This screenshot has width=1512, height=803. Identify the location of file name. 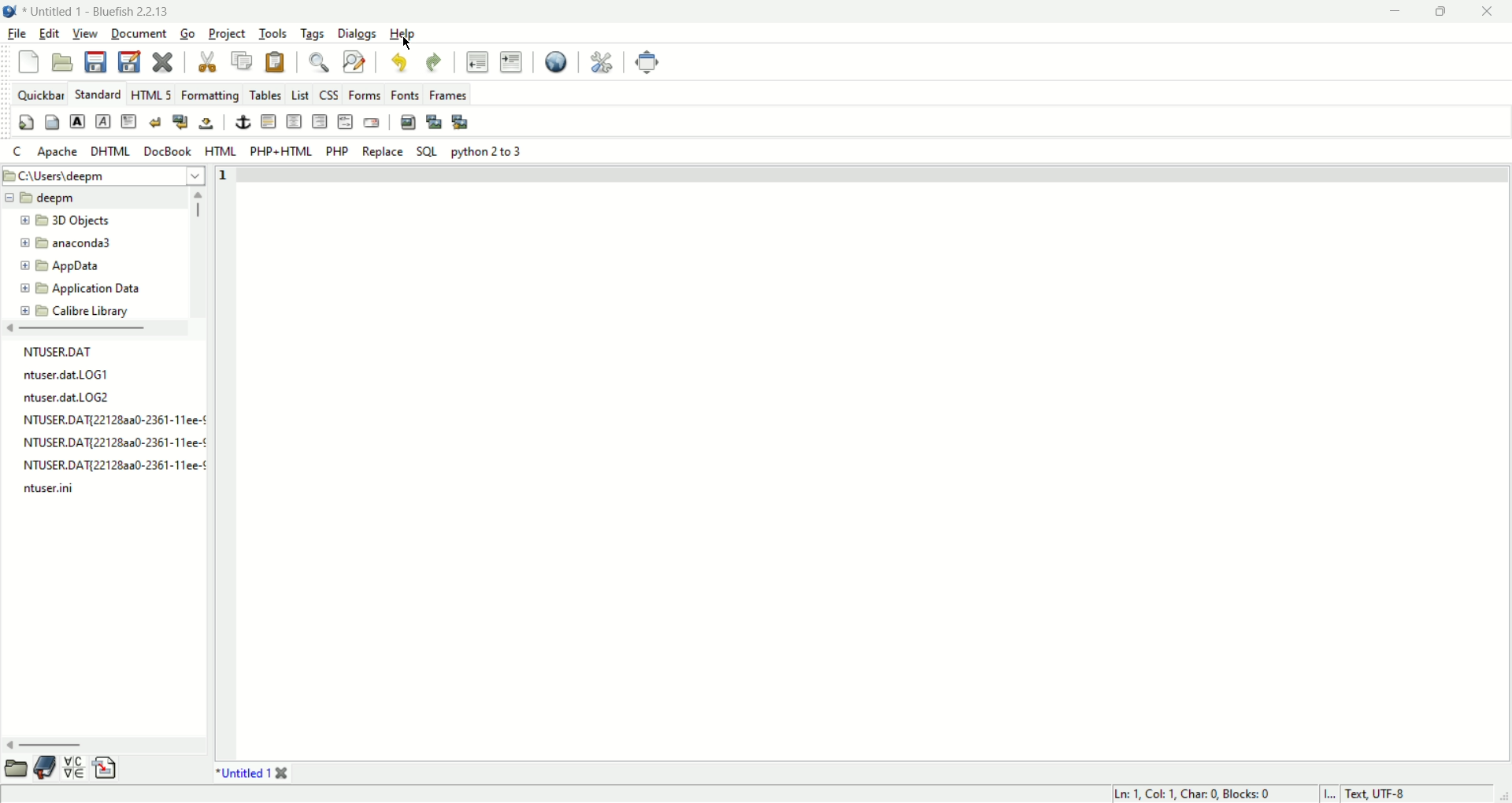
(112, 419).